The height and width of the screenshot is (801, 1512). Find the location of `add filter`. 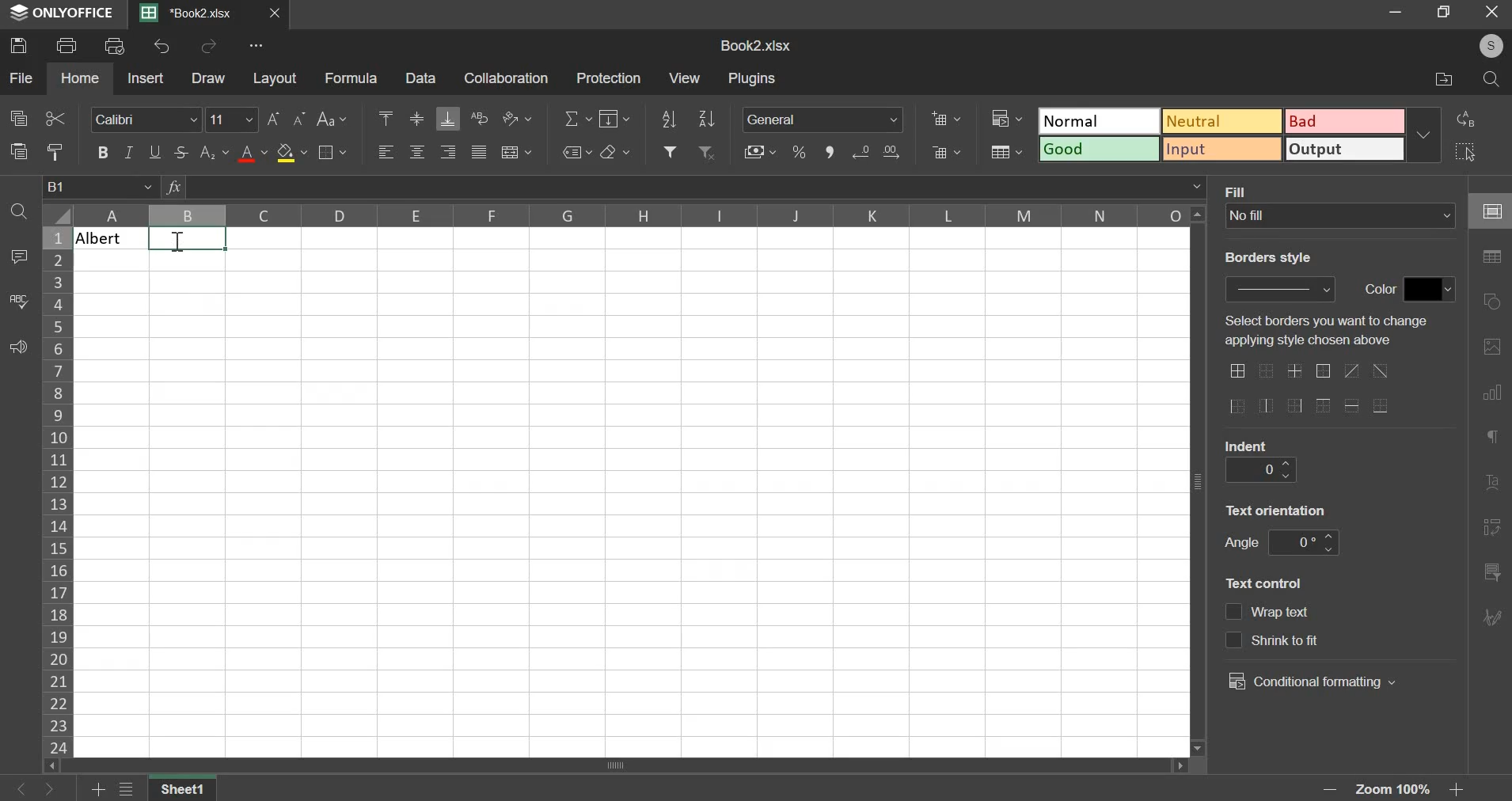

add filter is located at coordinates (671, 151).